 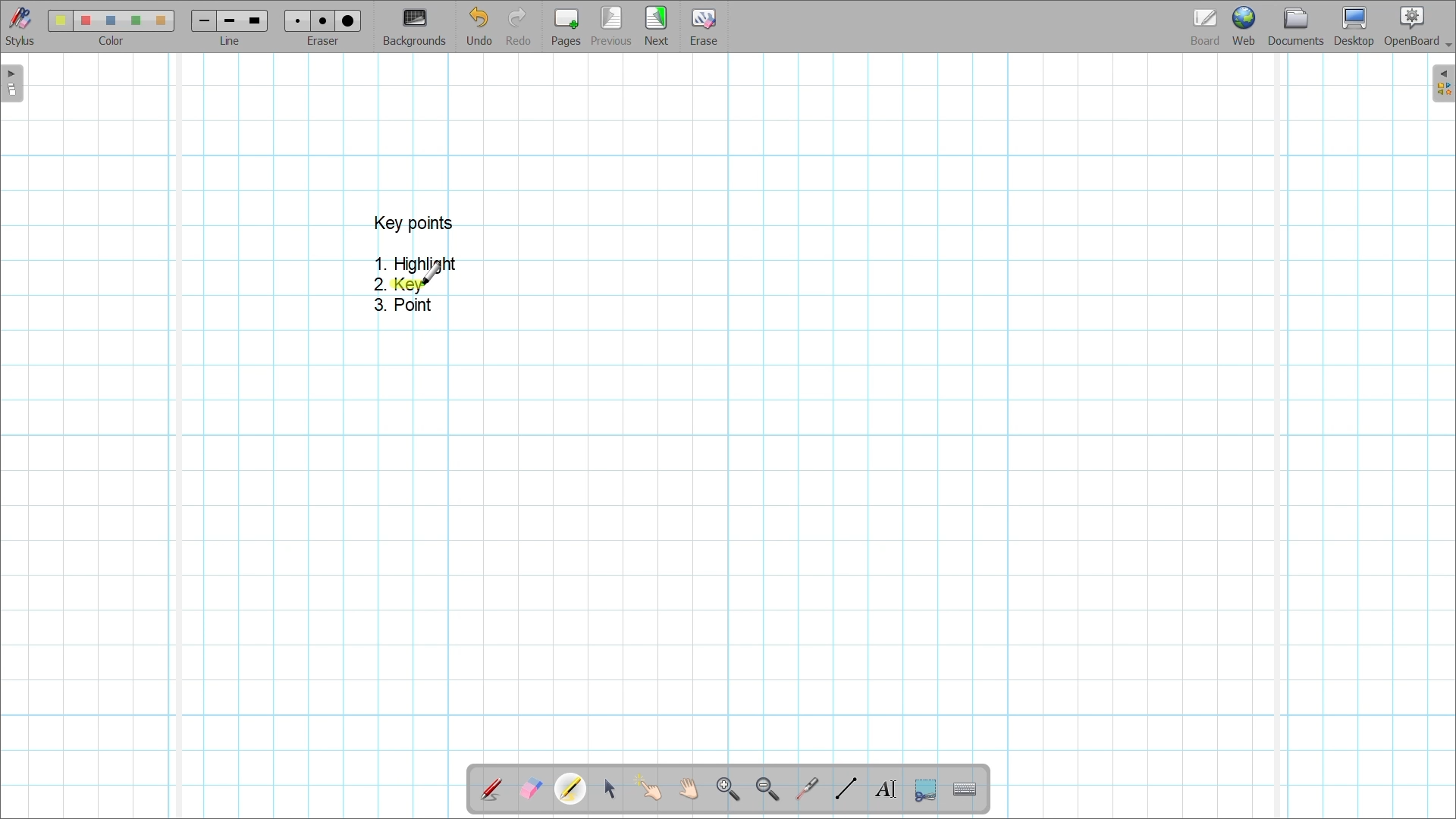 What do you see at coordinates (234, 42) in the screenshot?
I see `line` at bounding box center [234, 42].